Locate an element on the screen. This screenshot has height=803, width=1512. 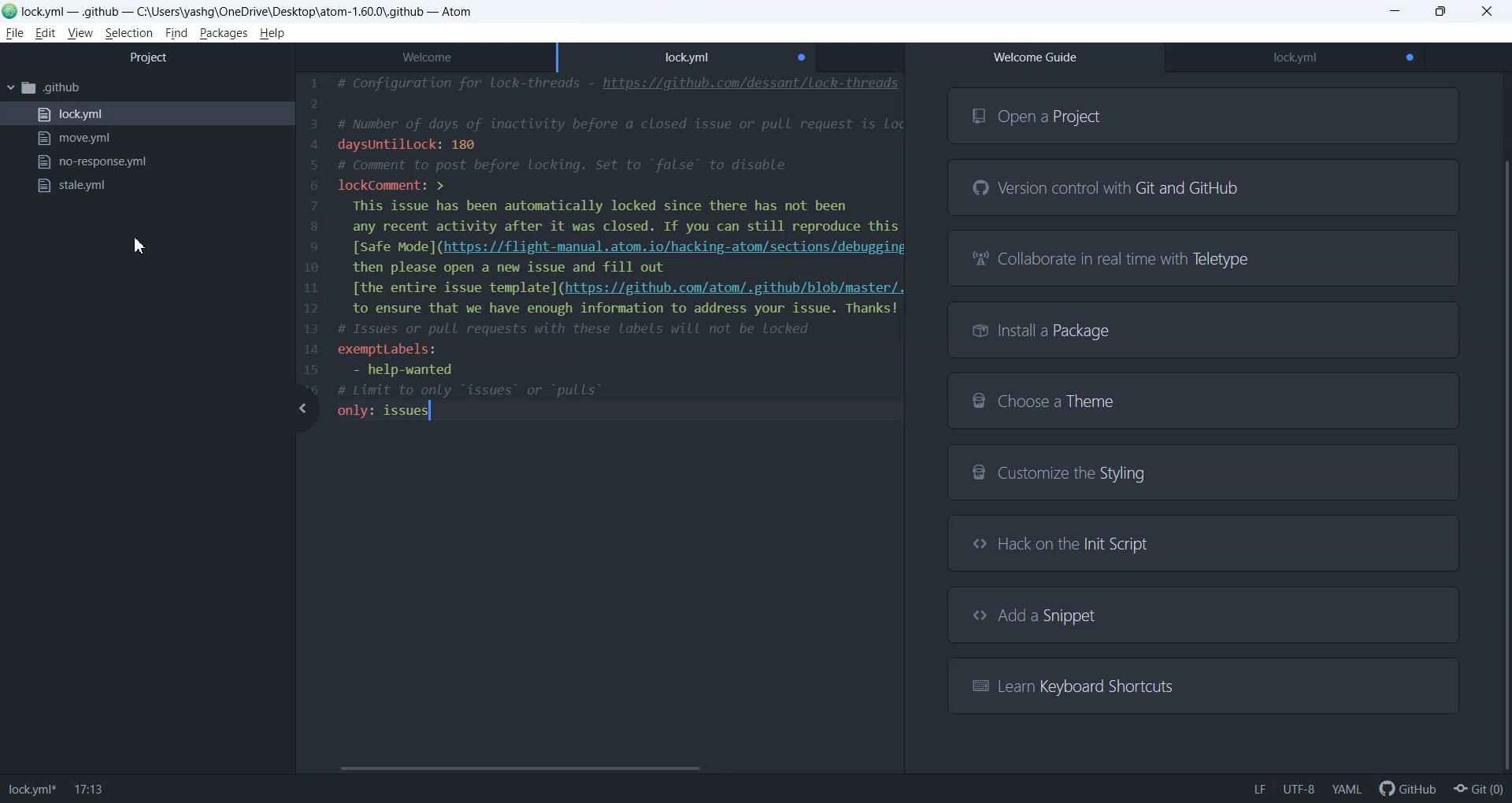
Minimize is located at coordinates (1396, 12).